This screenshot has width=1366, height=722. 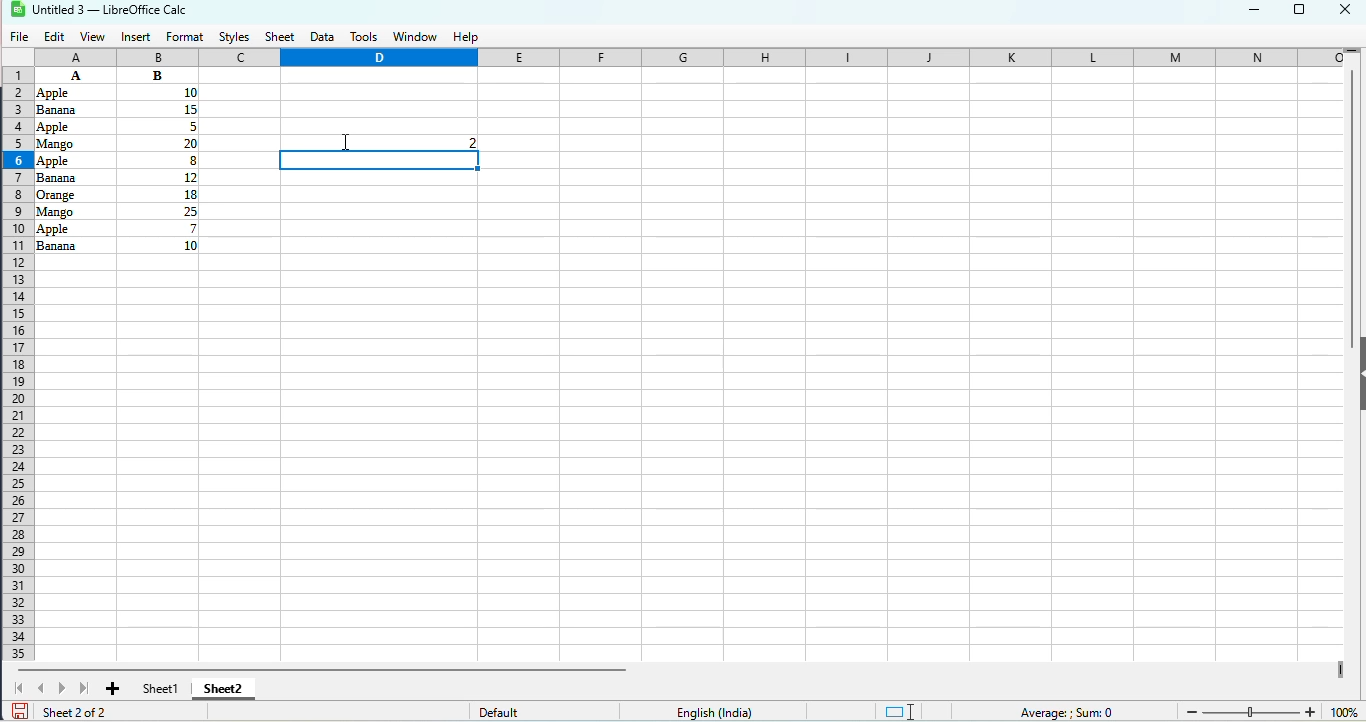 I want to click on current column, so click(x=379, y=58).